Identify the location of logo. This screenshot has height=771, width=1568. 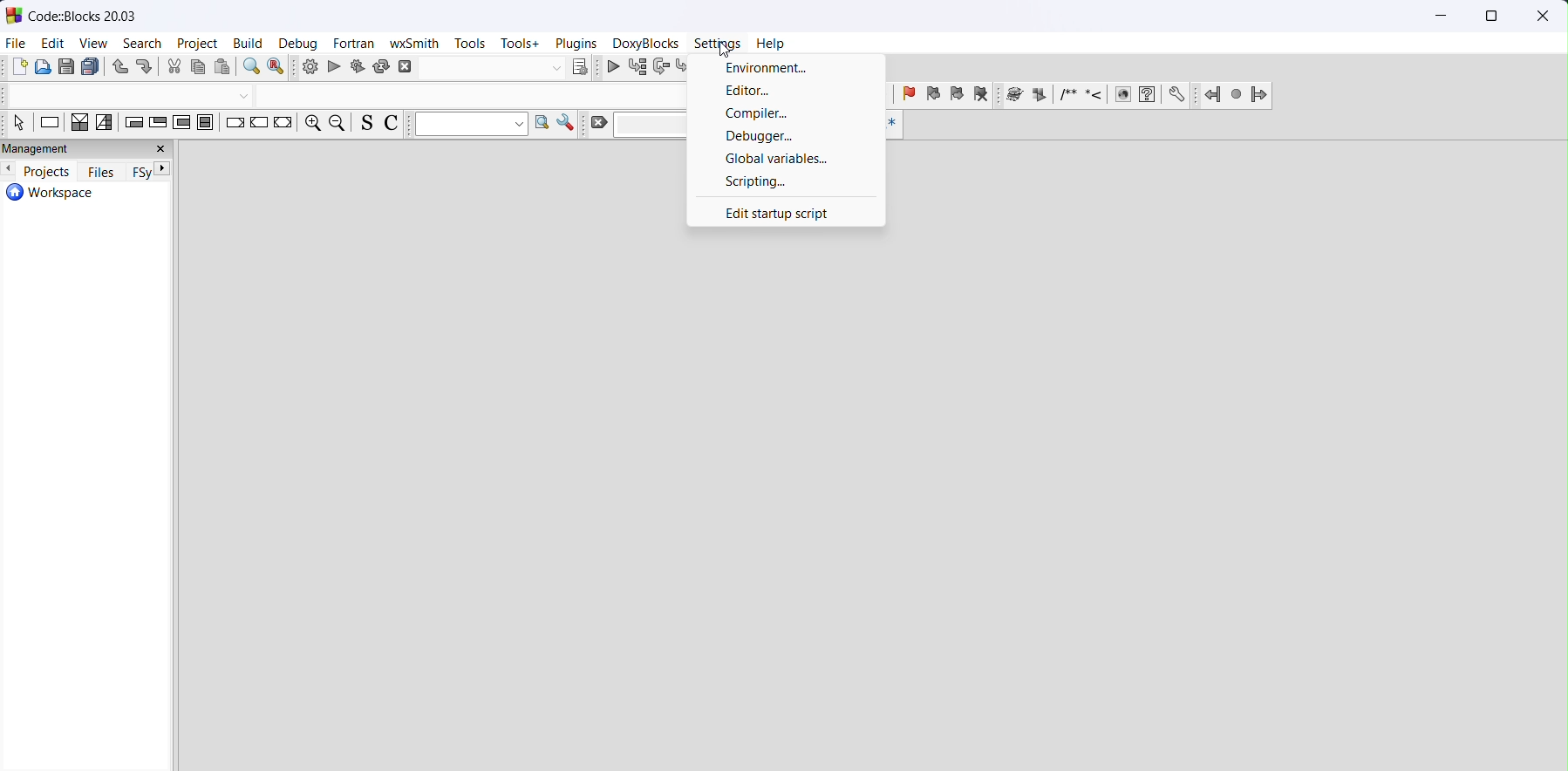
(15, 15).